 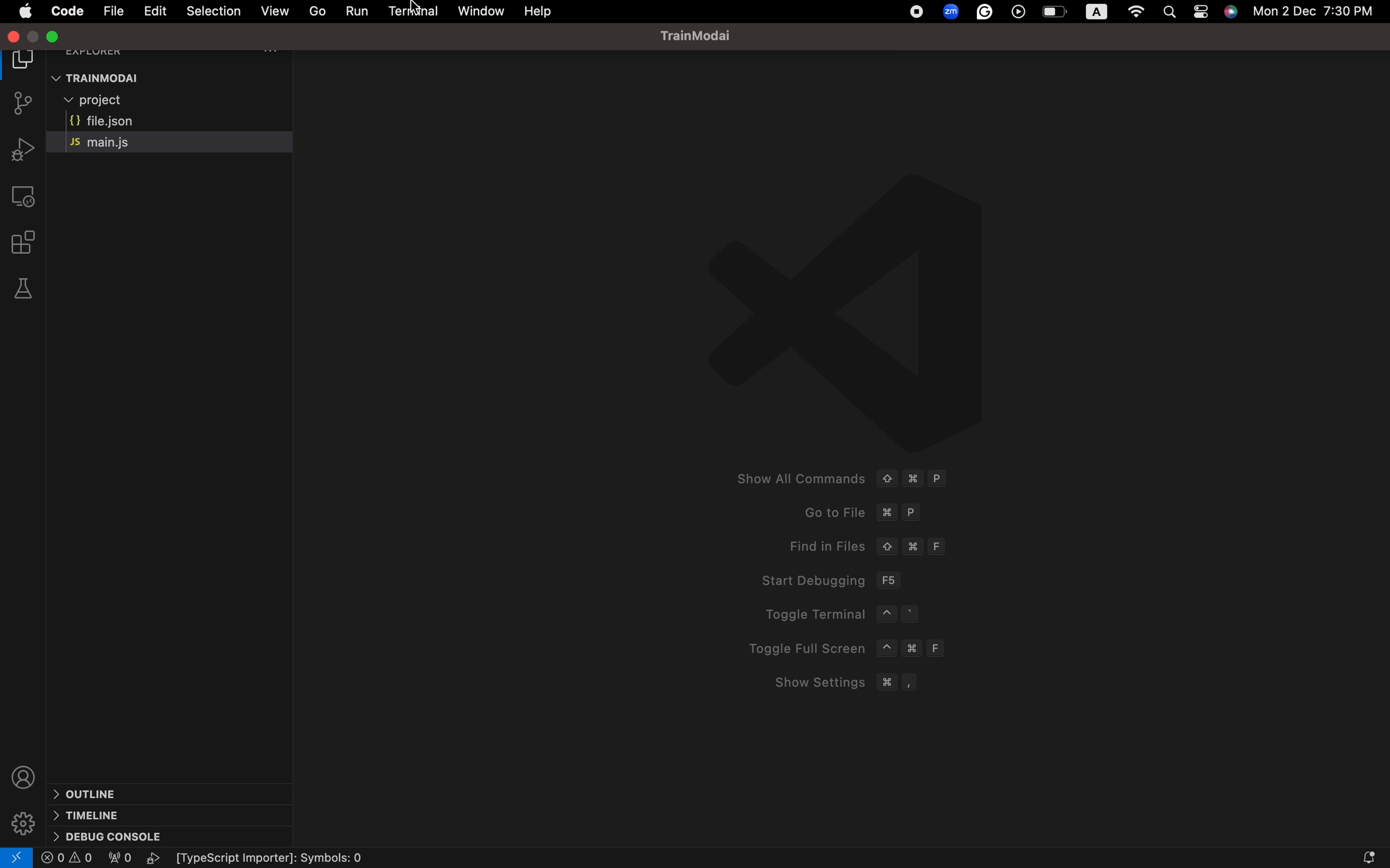 What do you see at coordinates (1322, 14) in the screenshot?
I see `Date` at bounding box center [1322, 14].